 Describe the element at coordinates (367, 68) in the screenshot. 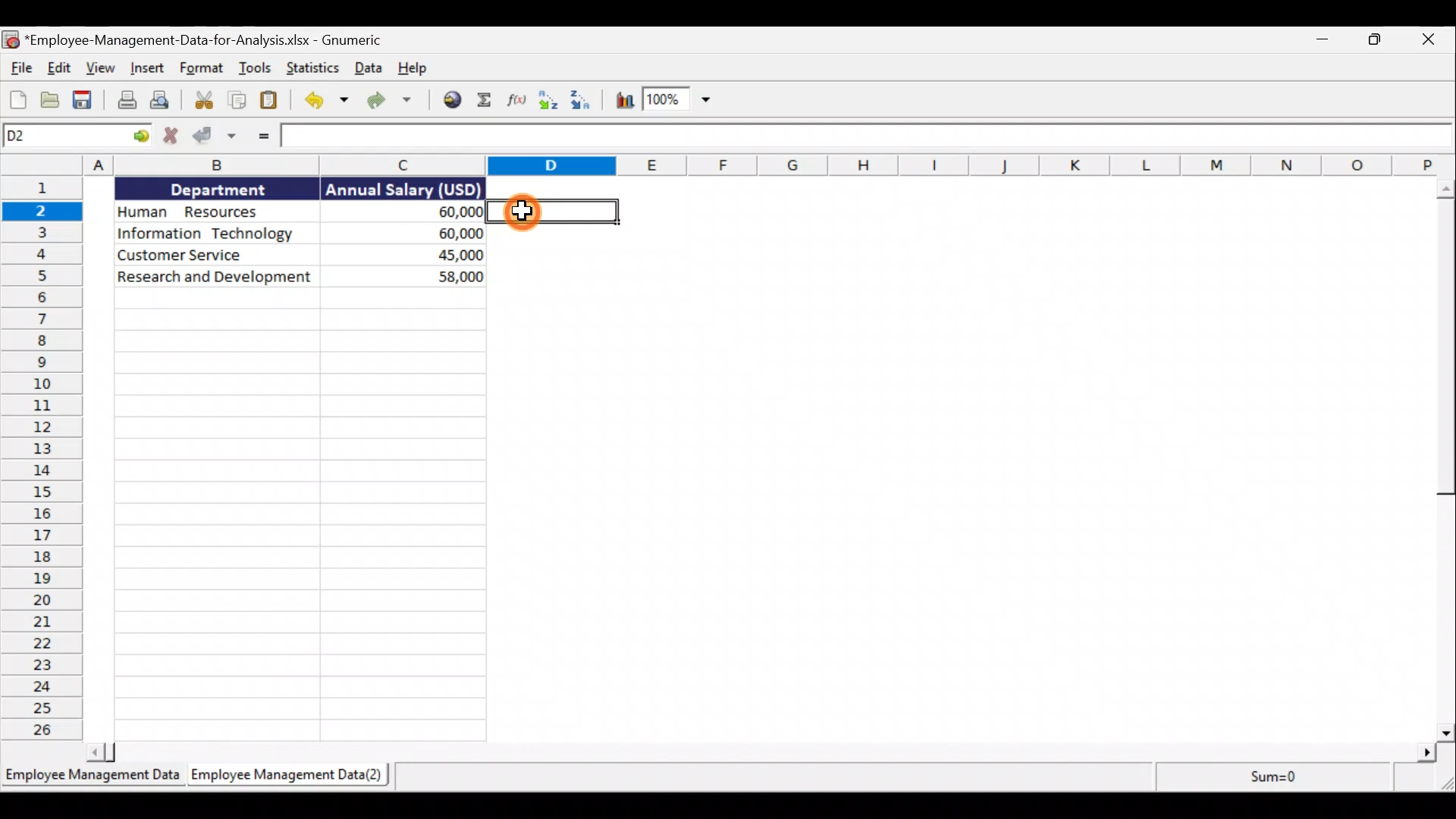

I see `Data` at that location.